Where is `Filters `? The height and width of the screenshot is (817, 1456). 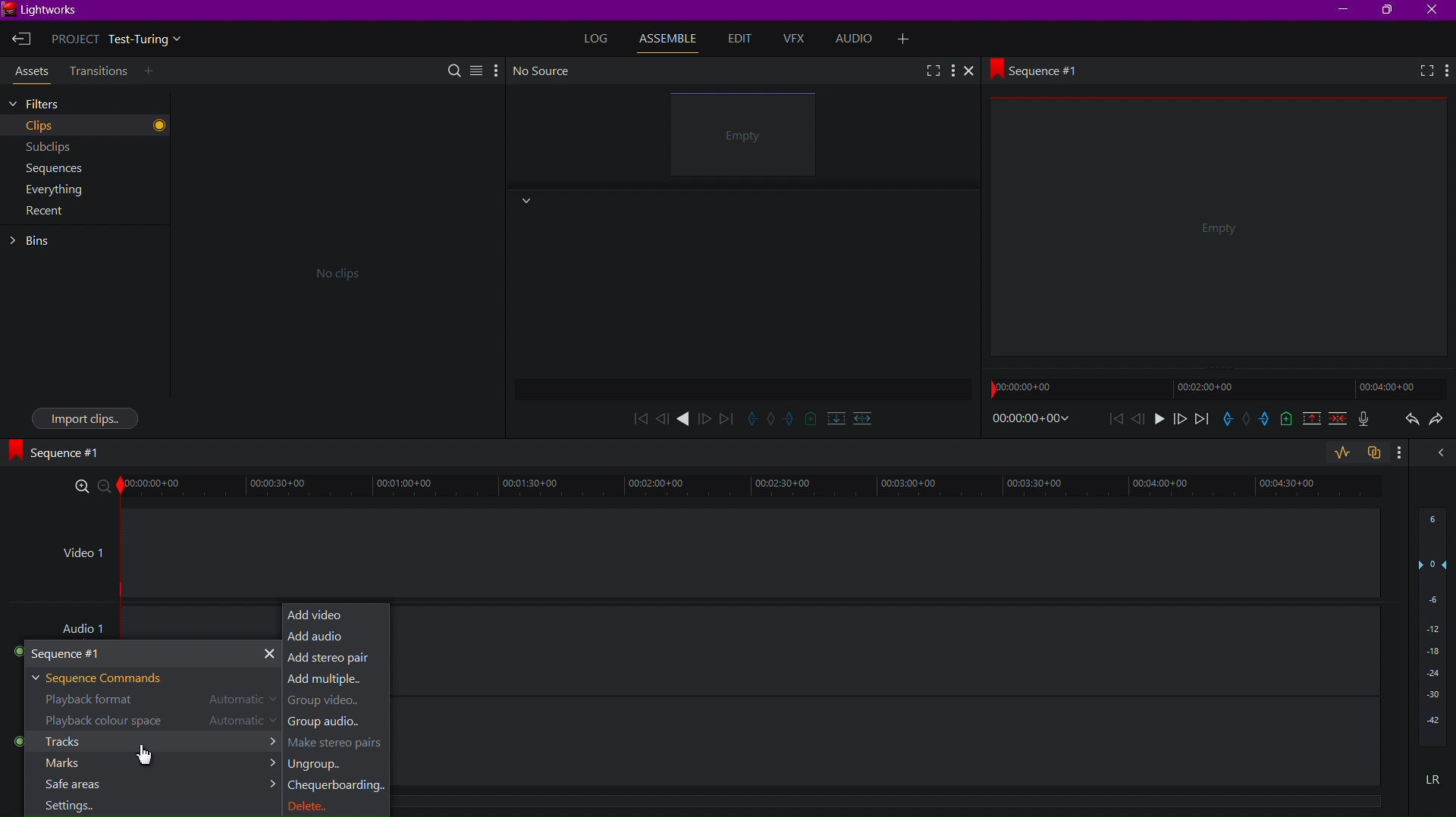 Filters  is located at coordinates (58, 103).